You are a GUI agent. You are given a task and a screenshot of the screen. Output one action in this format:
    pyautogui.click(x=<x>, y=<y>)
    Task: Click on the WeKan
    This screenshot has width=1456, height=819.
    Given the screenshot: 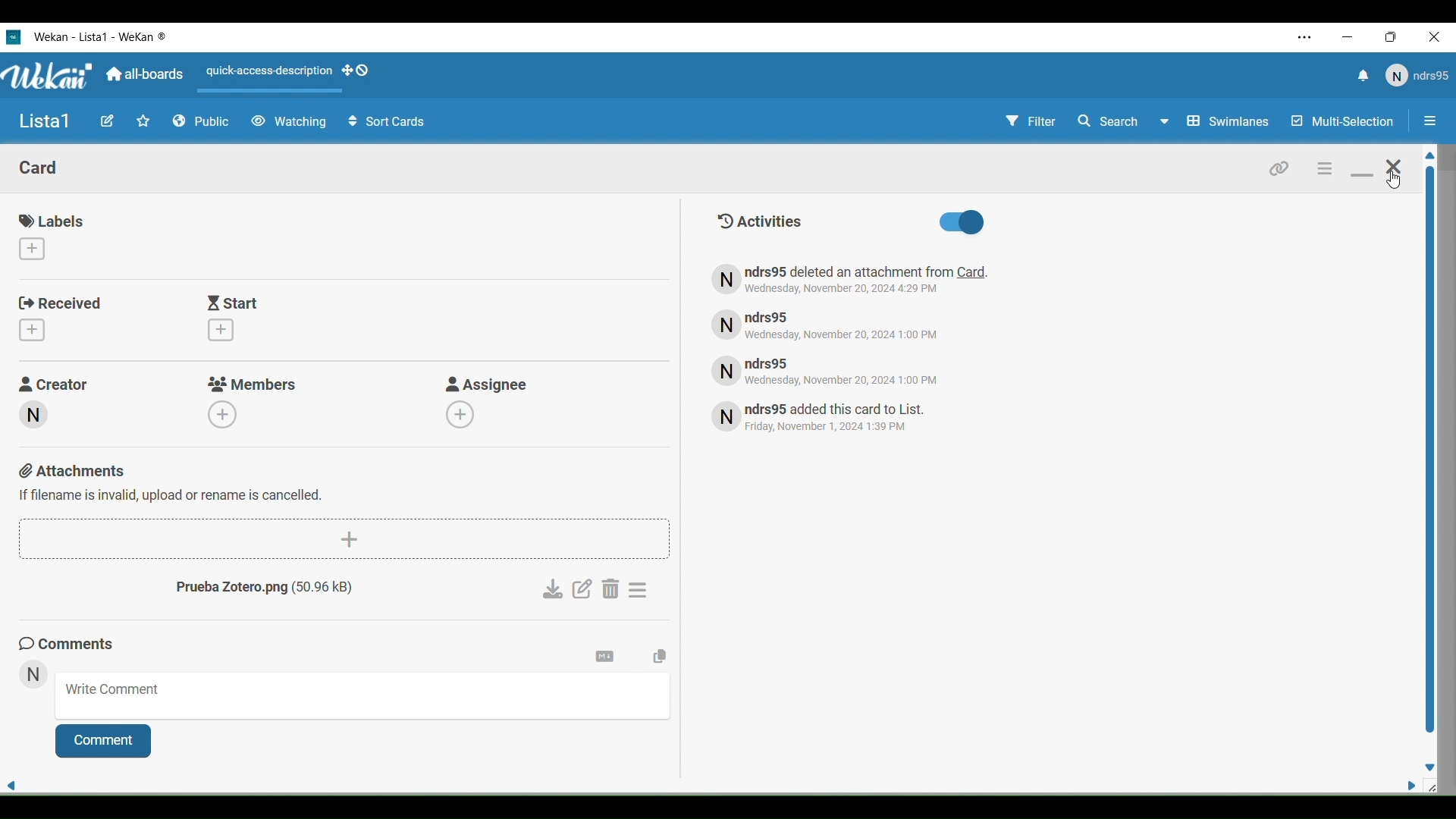 What is the action you would take?
    pyautogui.click(x=102, y=36)
    